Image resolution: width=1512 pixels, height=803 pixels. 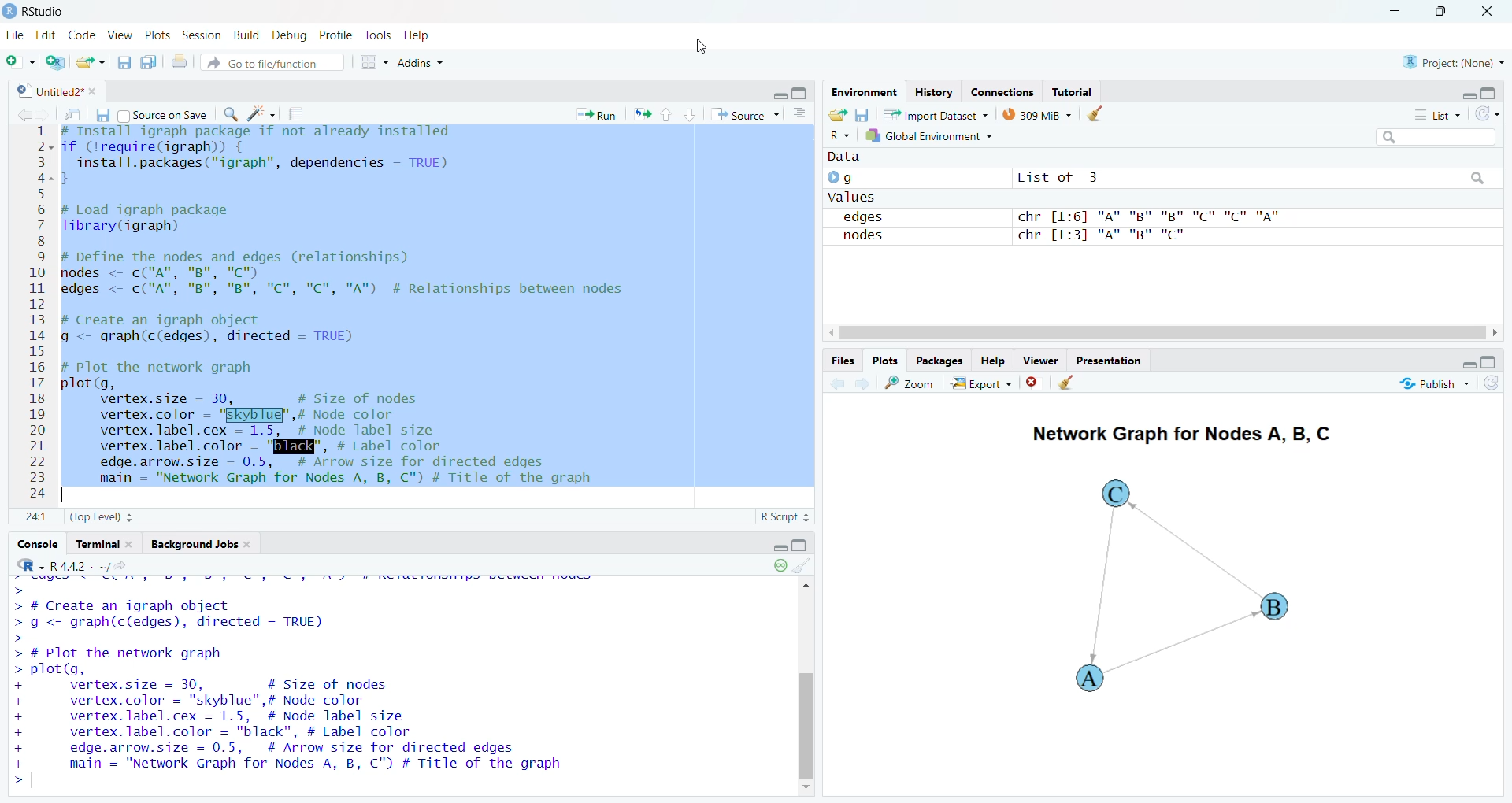 I want to click on mbar
Og List of 3
values

edges chr [1:6] "A" "B" "B" "C" "C" "A"

nodes chr [1:3] "A" "B" "C", so click(x=1089, y=209).